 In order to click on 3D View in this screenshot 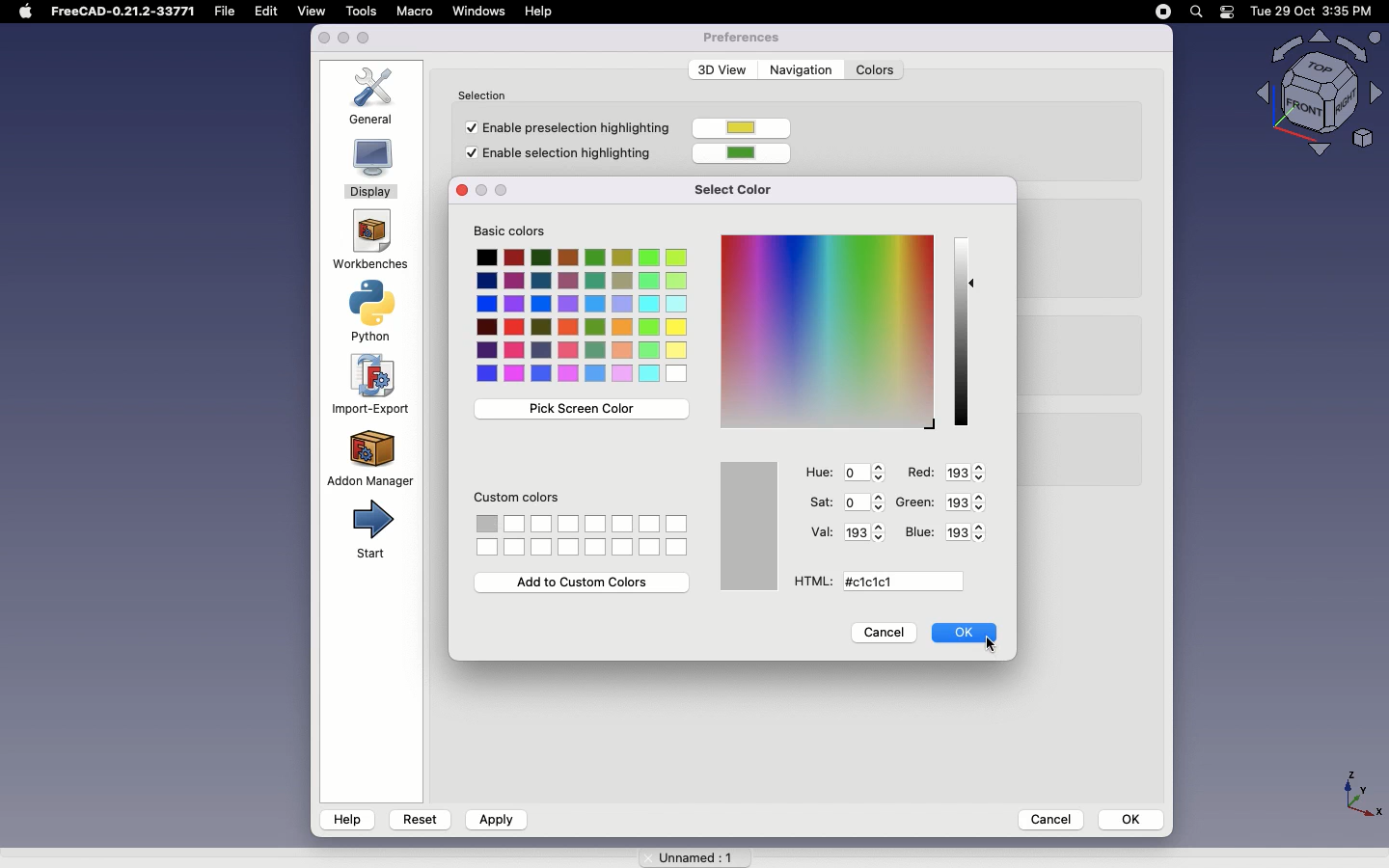, I will do `click(719, 69)`.